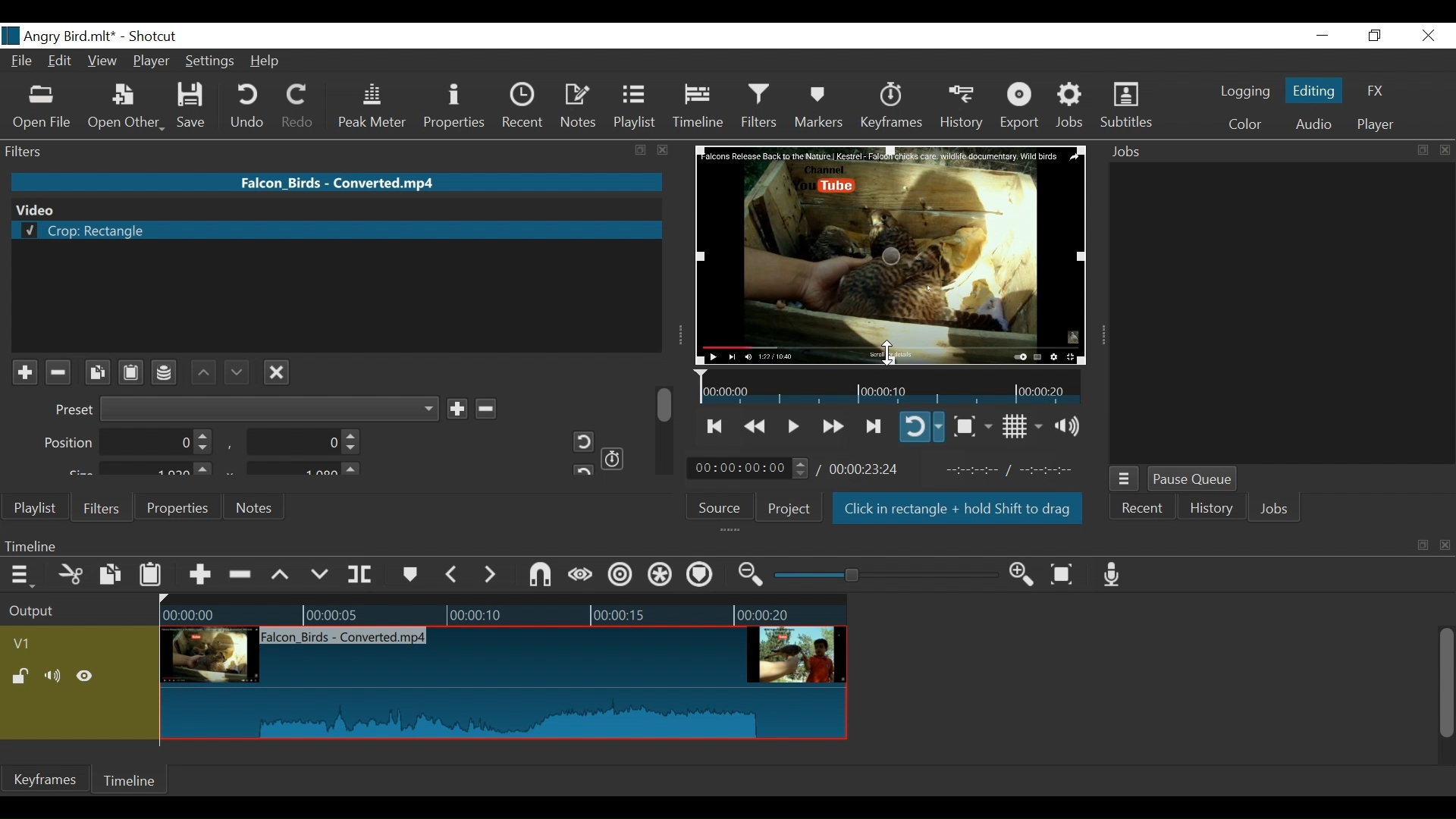 This screenshot has height=819, width=1456. Describe the element at coordinates (1131, 152) in the screenshot. I see `Jobs` at that location.